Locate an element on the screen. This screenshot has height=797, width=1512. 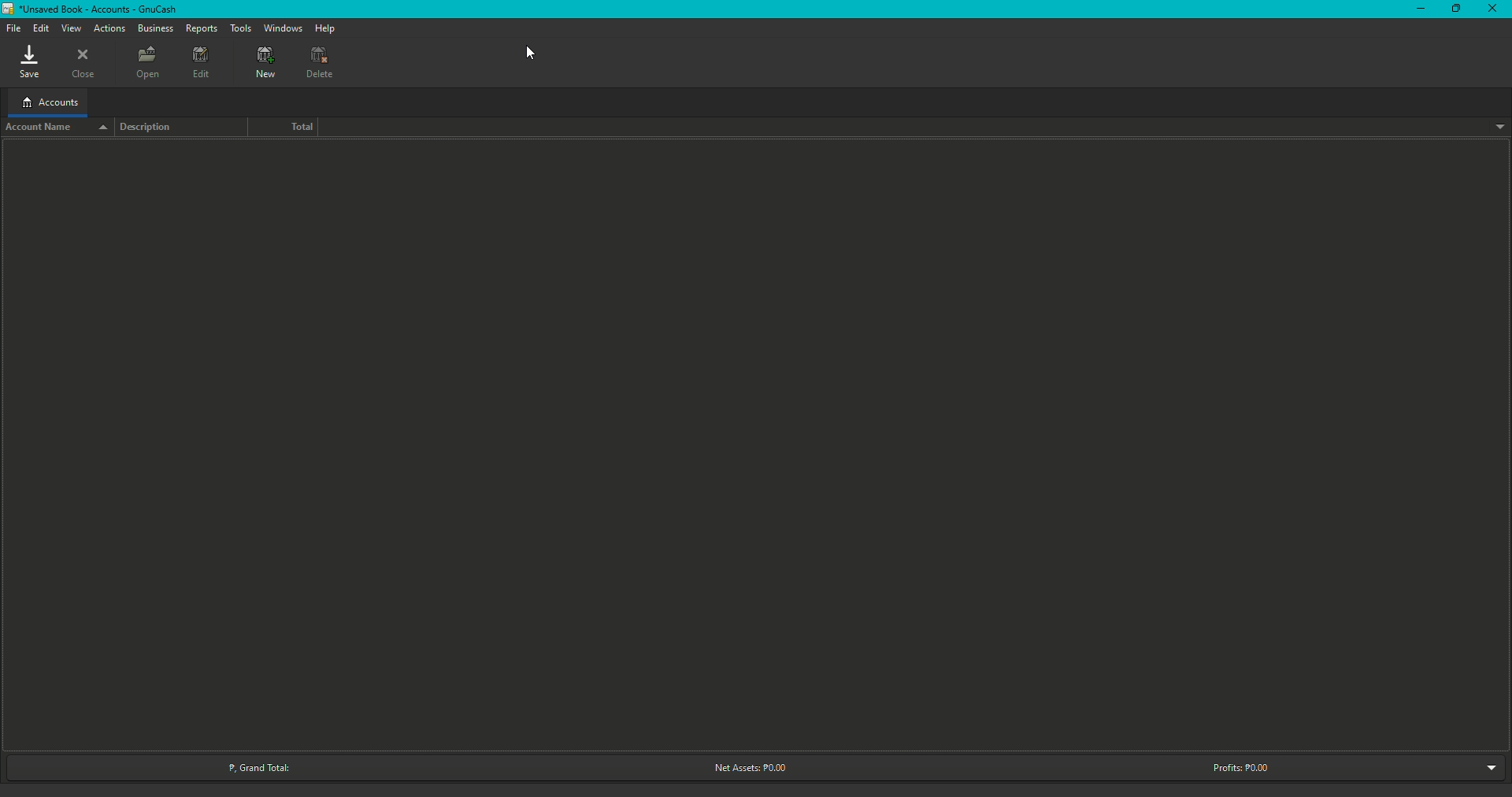
Close is located at coordinates (83, 63).